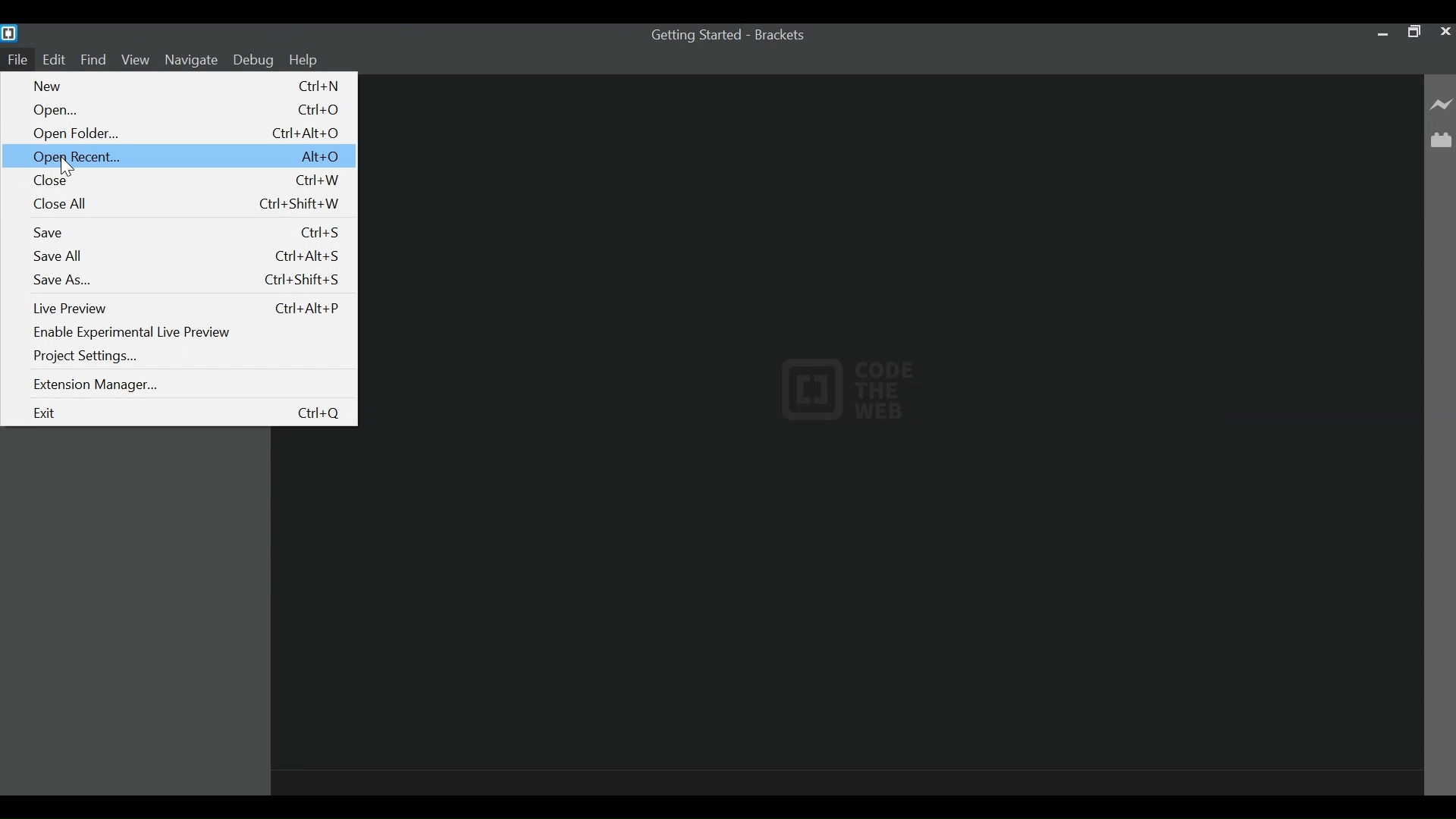 This screenshot has height=819, width=1456. I want to click on View, so click(136, 60).